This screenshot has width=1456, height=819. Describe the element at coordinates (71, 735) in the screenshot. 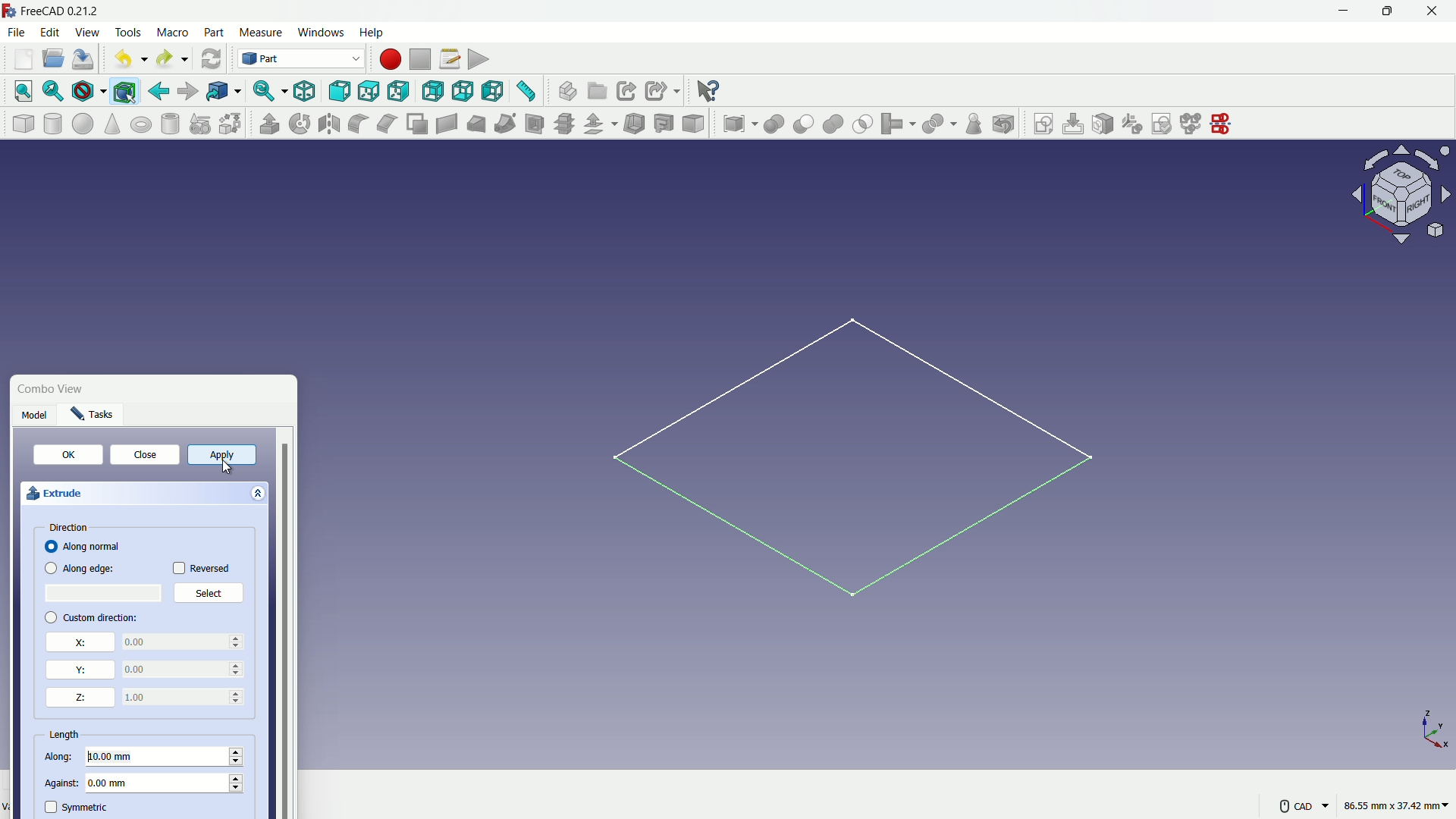

I see `length properties` at that location.